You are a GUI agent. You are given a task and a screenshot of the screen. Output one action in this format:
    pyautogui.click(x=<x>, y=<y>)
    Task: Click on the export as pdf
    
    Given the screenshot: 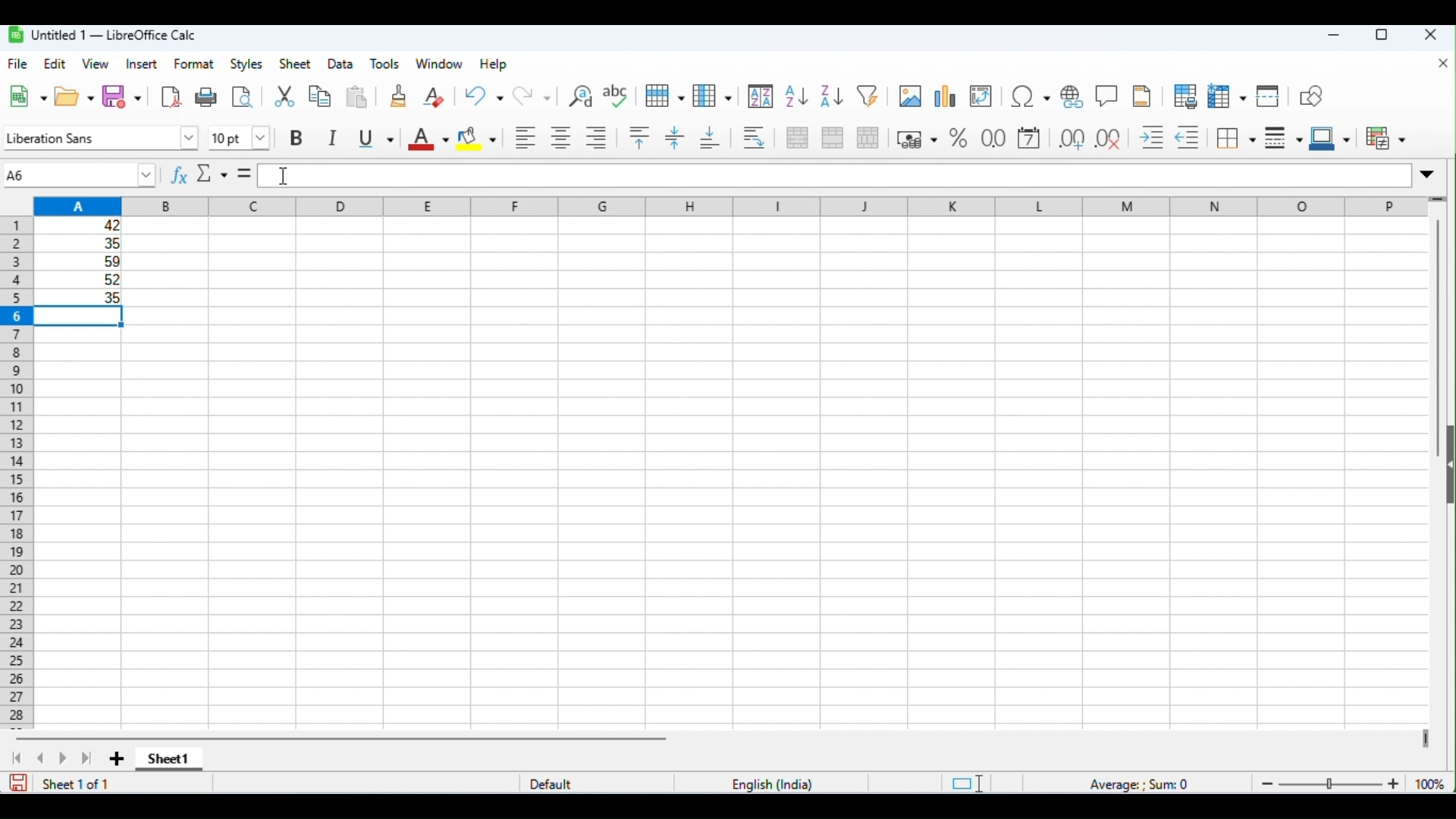 What is the action you would take?
    pyautogui.click(x=171, y=97)
    